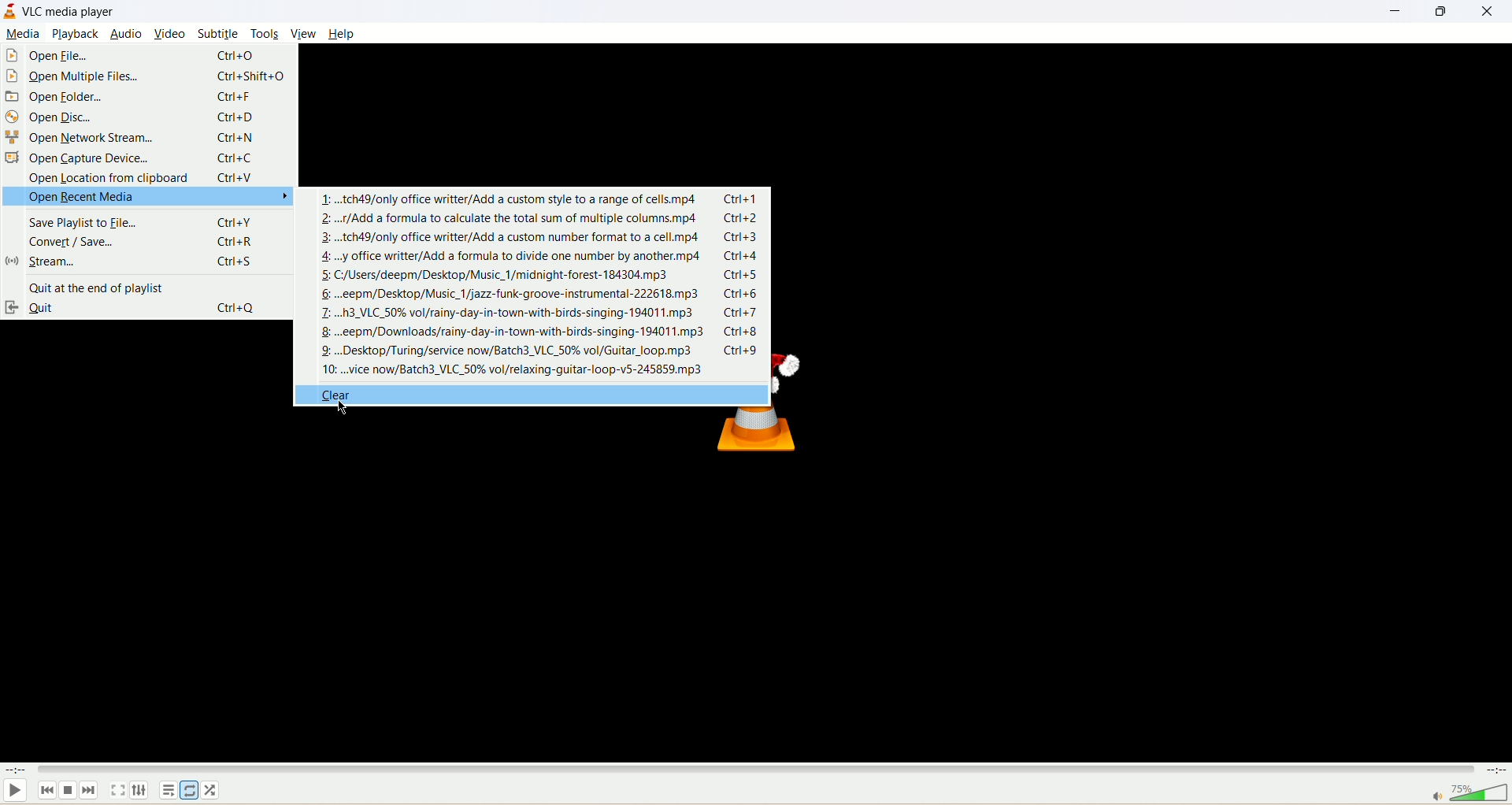  I want to click on 2:..r/Add a formula to calculate the total sum of multiple columns.mp4, so click(512, 219).